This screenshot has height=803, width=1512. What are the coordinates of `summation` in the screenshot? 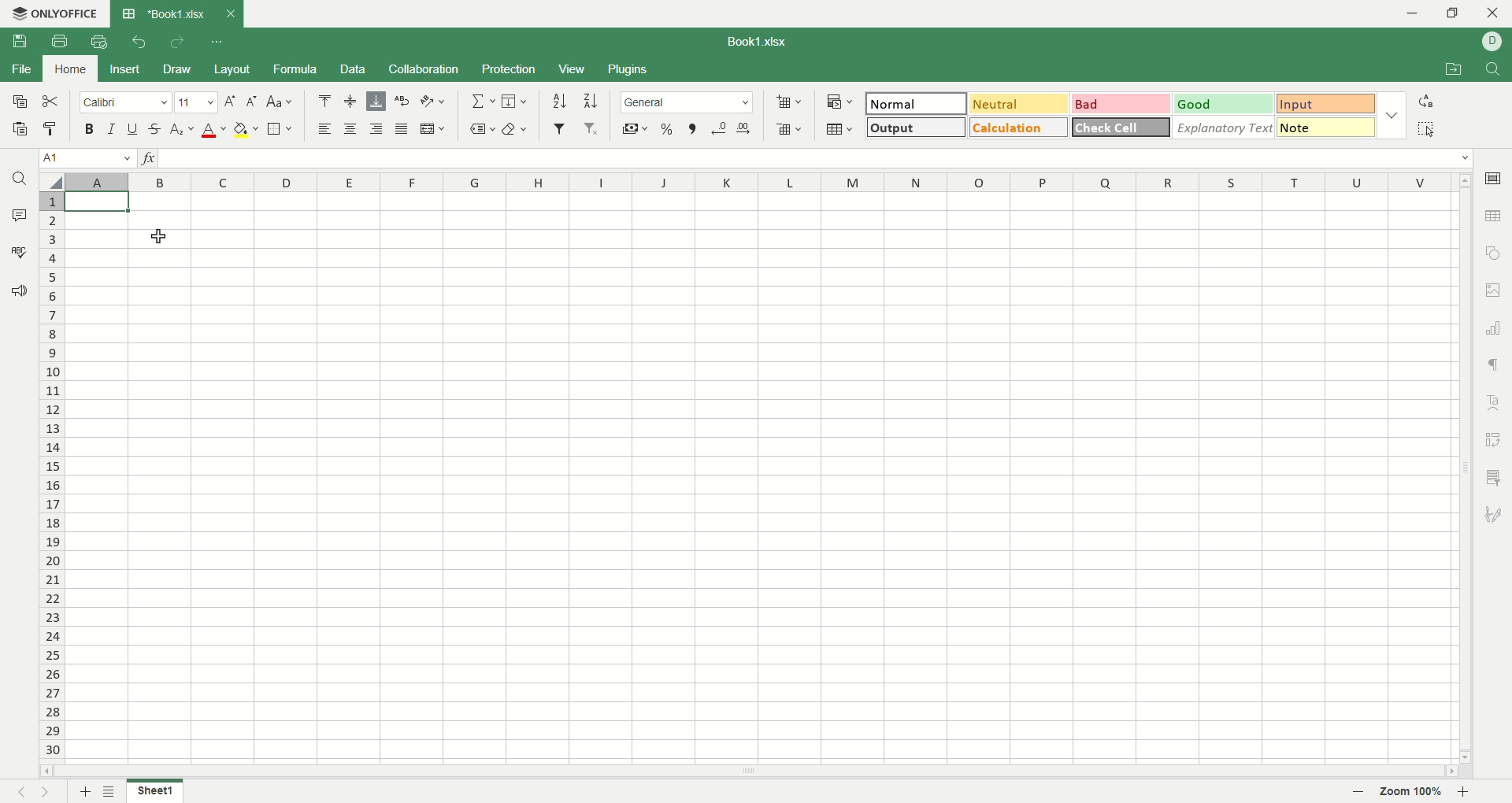 It's located at (482, 100).